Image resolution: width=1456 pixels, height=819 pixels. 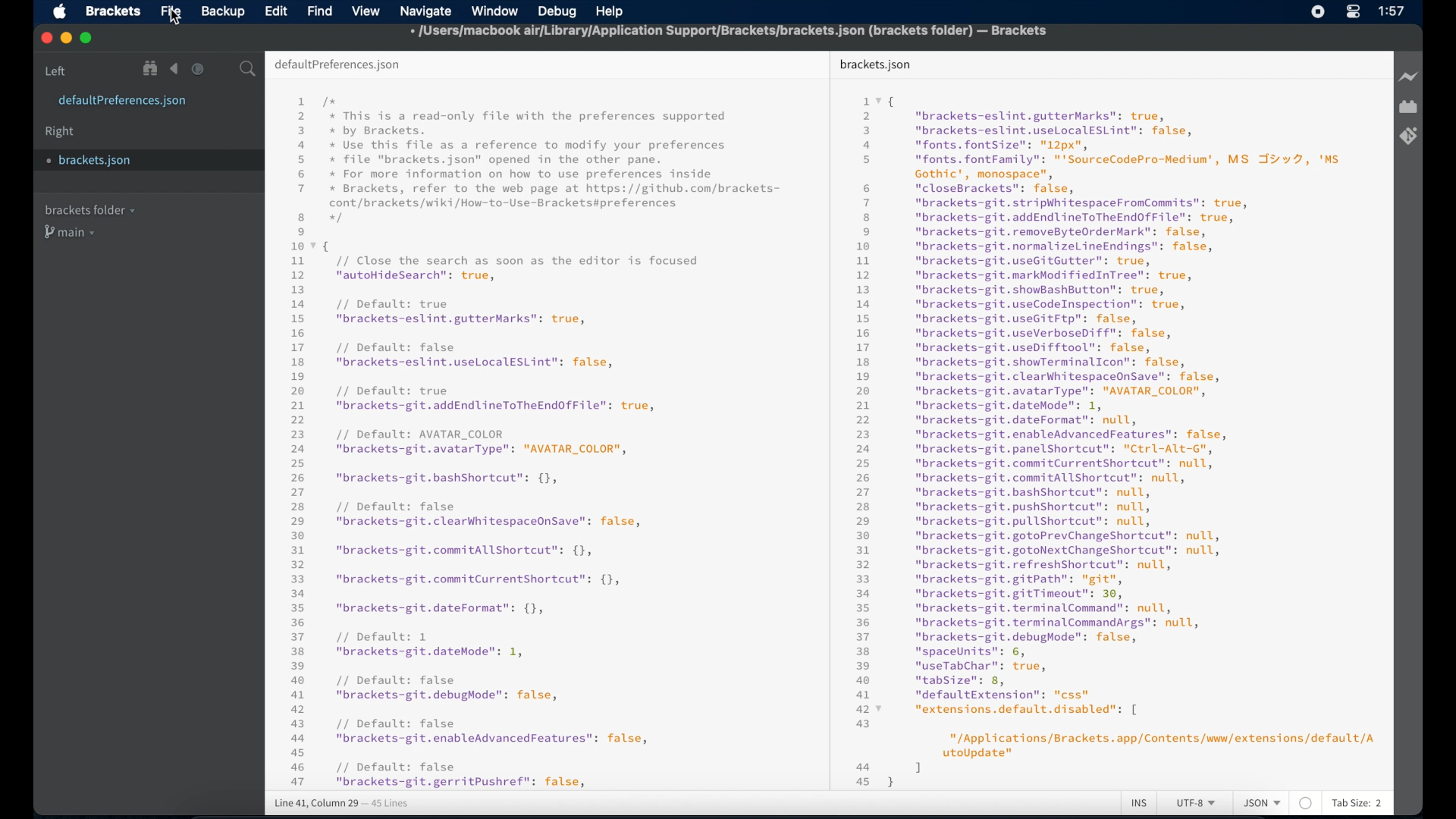 What do you see at coordinates (59, 12) in the screenshot?
I see `apple icon` at bounding box center [59, 12].